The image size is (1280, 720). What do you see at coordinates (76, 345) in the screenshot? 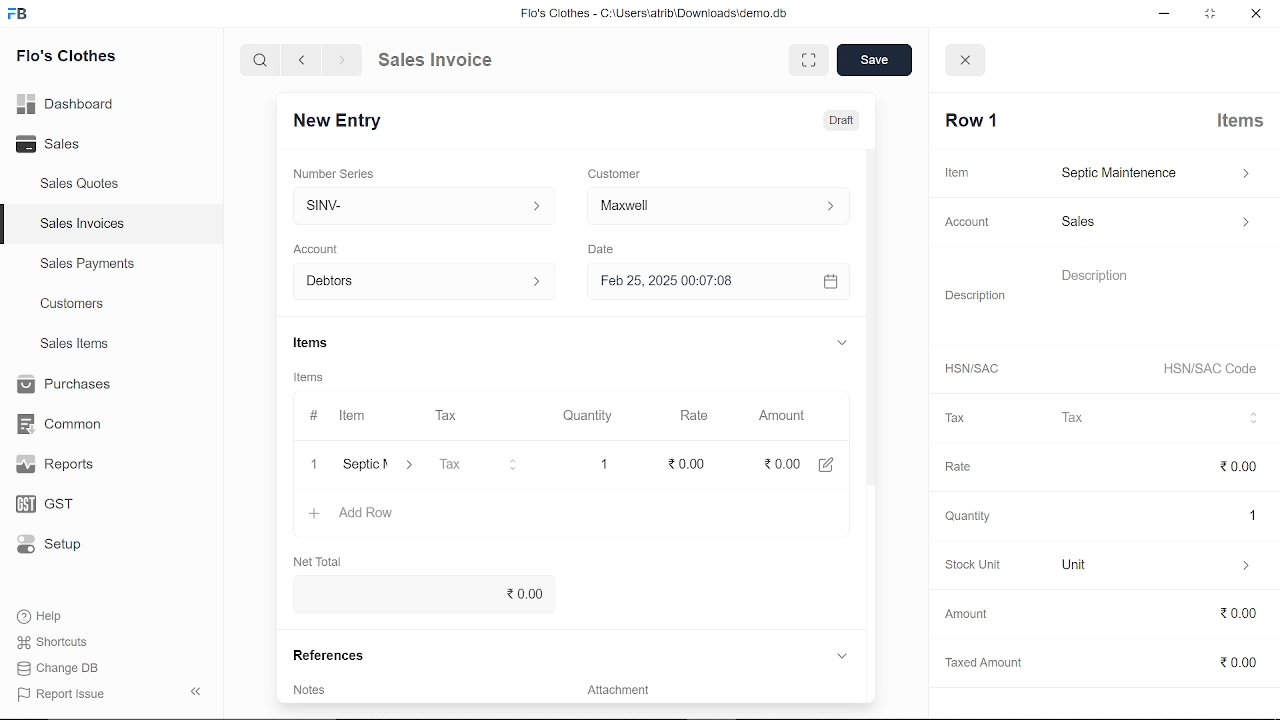
I see `Sales Items.` at bounding box center [76, 345].